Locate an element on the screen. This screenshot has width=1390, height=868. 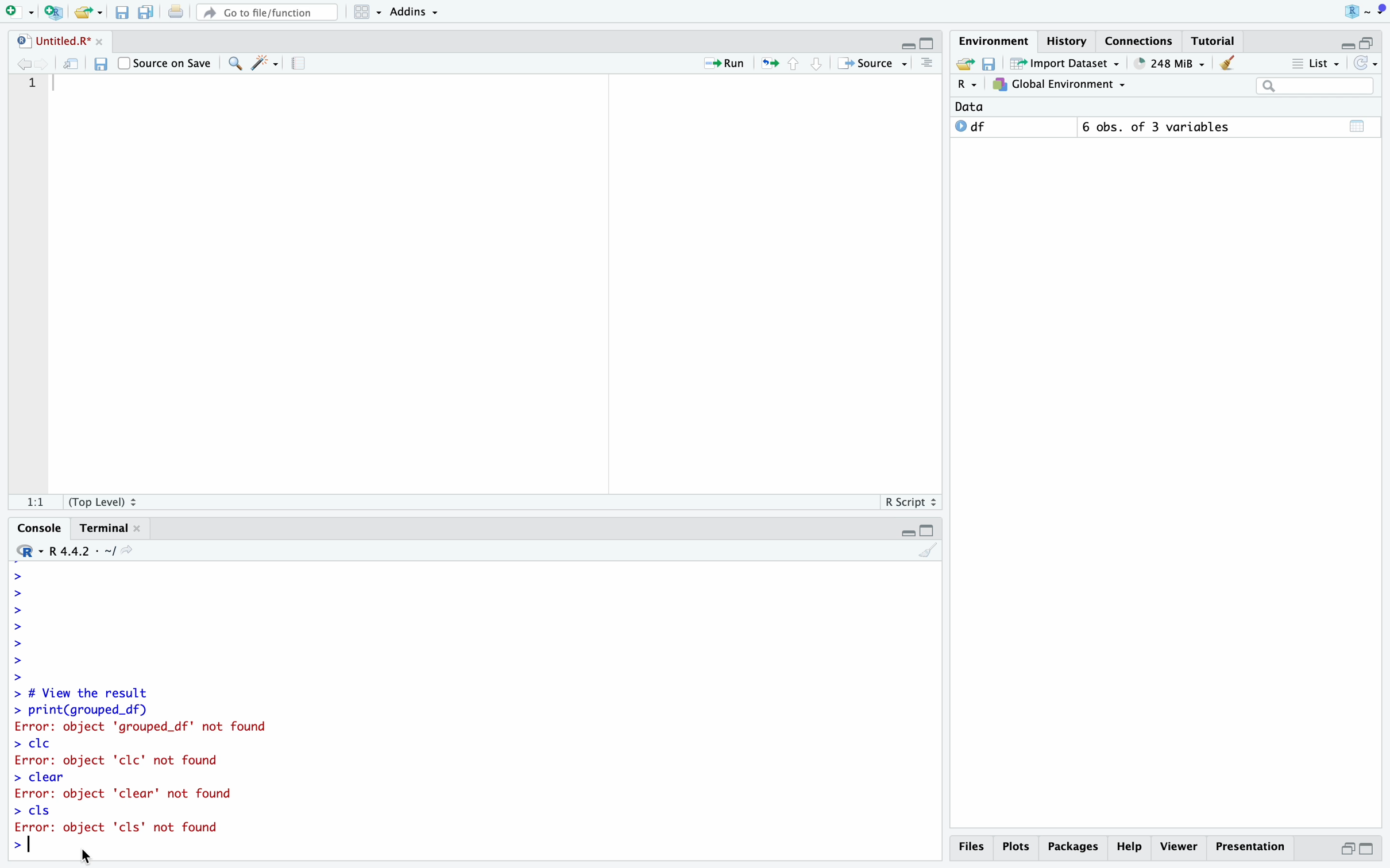
List is located at coordinates (1315, 63).